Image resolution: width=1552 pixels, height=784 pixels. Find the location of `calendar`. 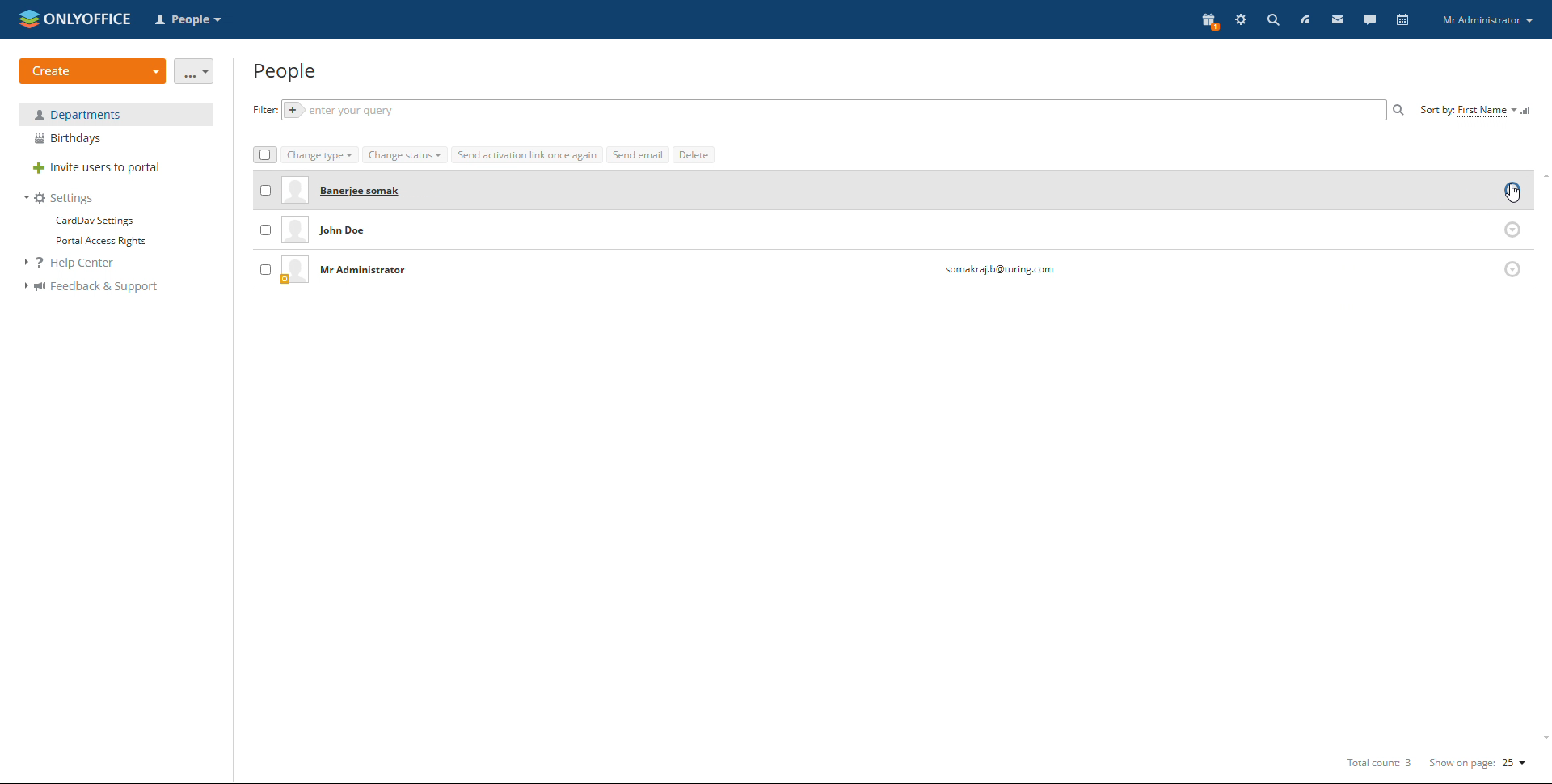

calendar is located at coordinates (1402, 19).